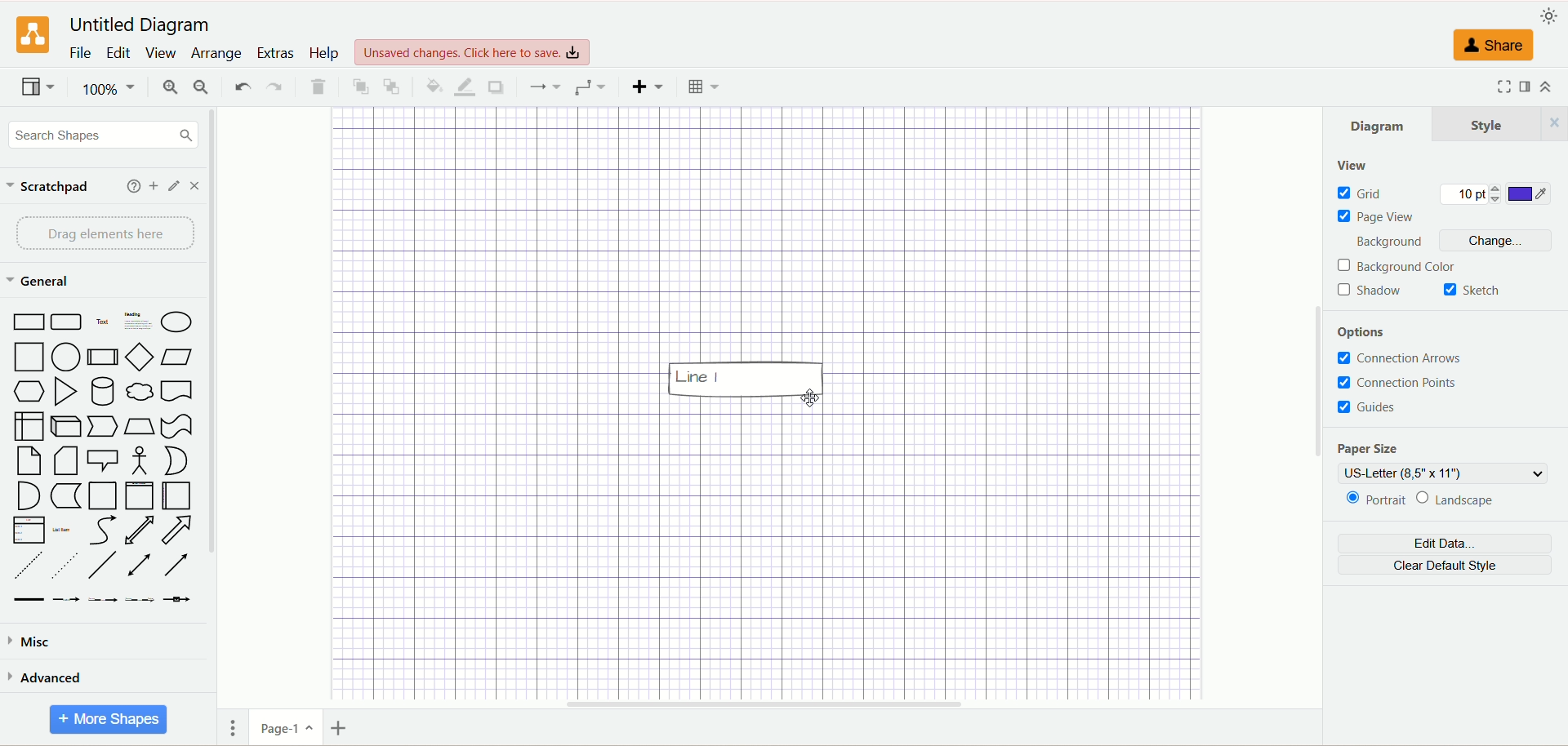 The image size is (1568, 746). I want to click on Ellipse, so click(177, 319).